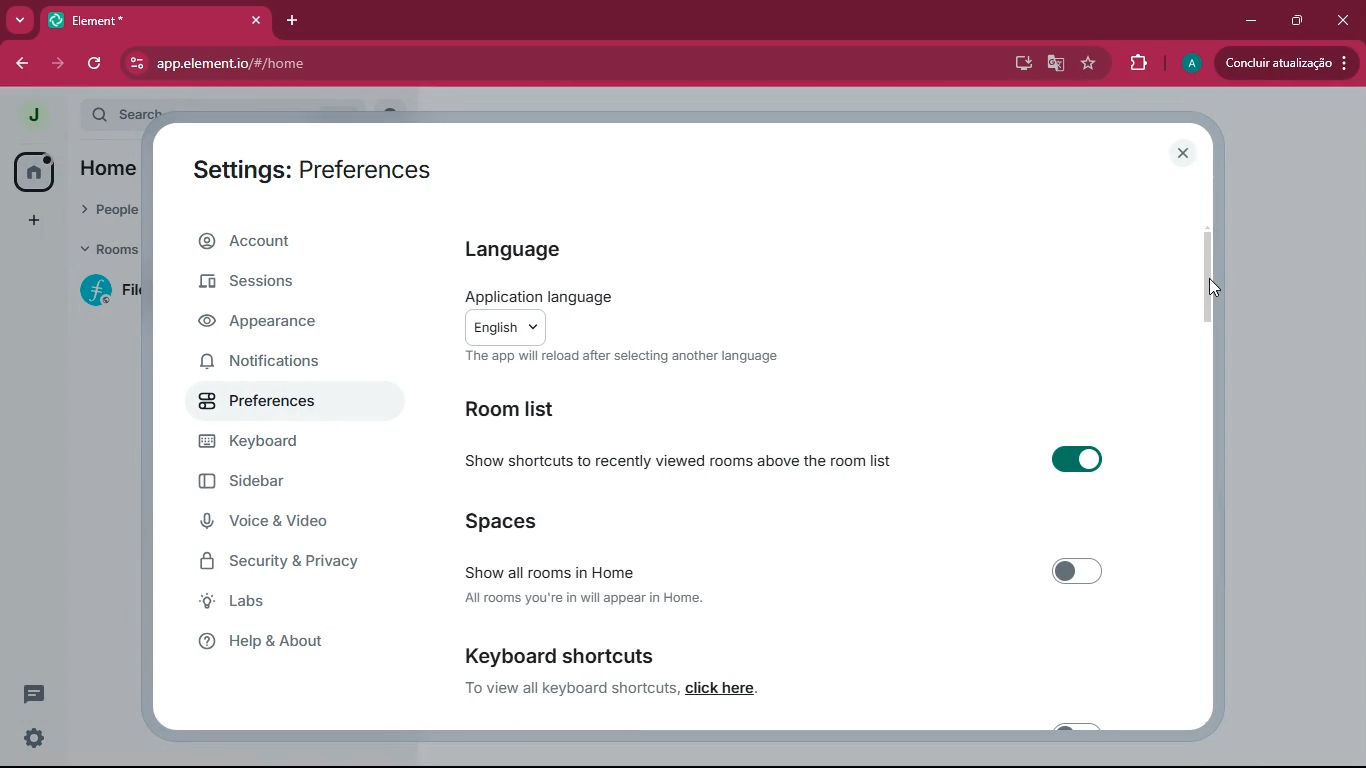 This screenshot has height=768, width=1366. I want to click on to view all keyboard shortcuts,, so click(572, 686).